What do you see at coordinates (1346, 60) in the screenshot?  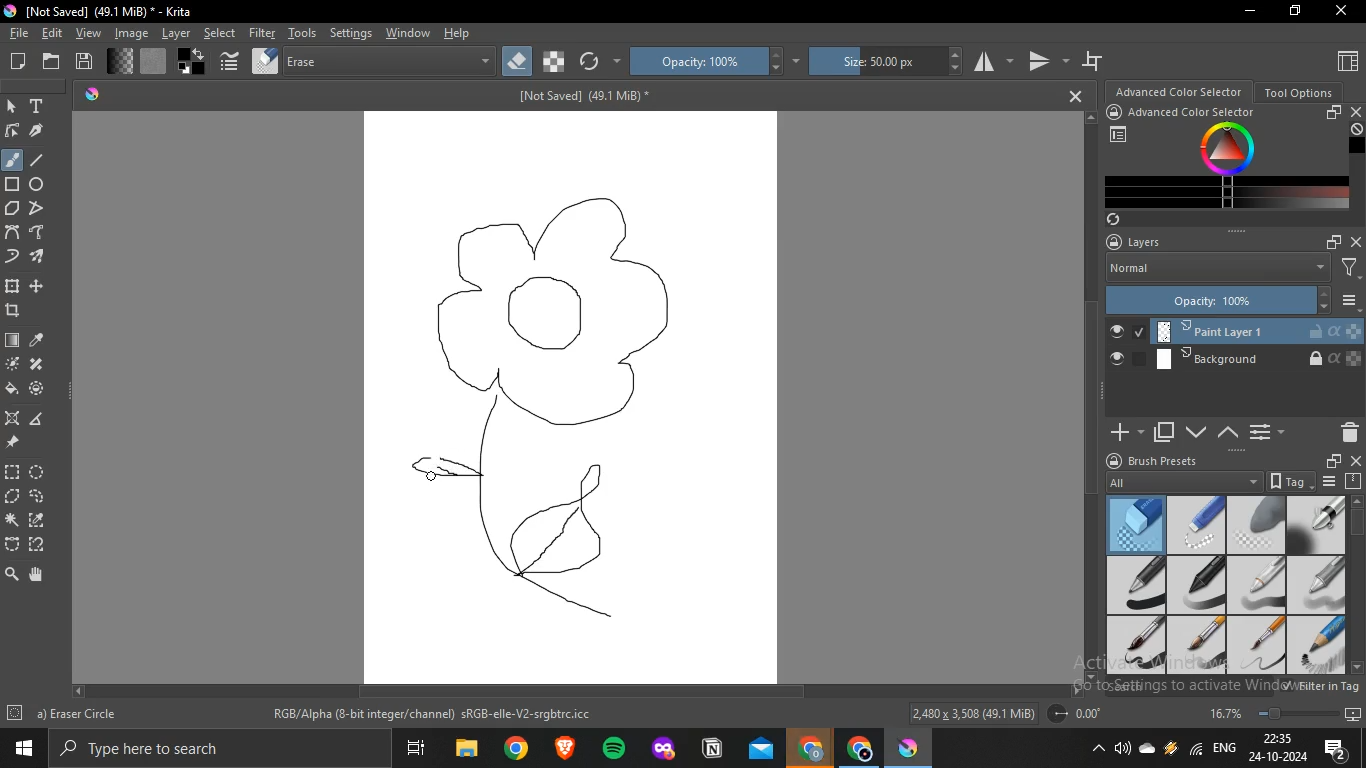 I see `Choose workspace` at bounding box center [1346, 60].